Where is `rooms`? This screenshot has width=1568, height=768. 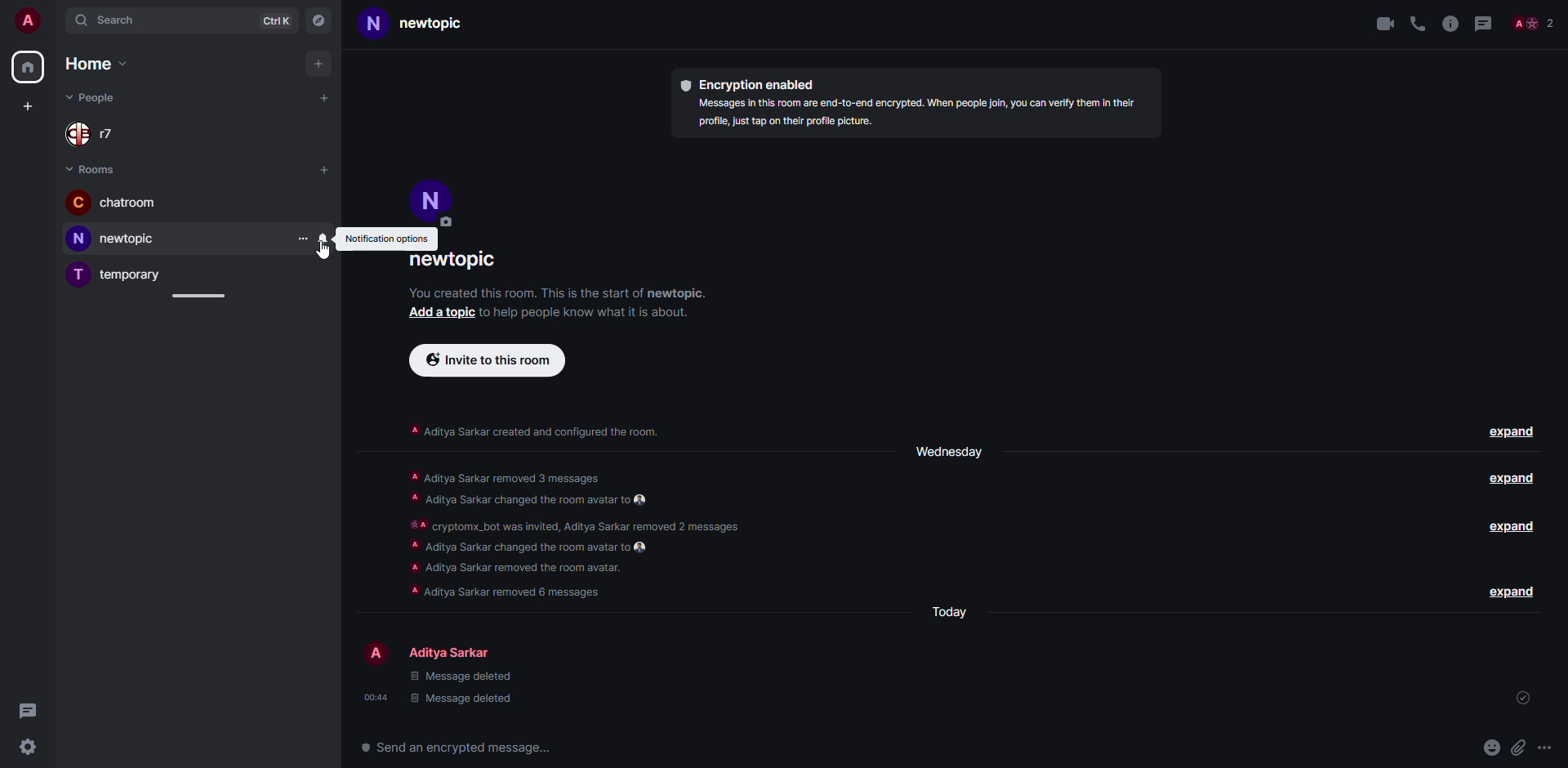
rooms is located at coordinates (94, 169).